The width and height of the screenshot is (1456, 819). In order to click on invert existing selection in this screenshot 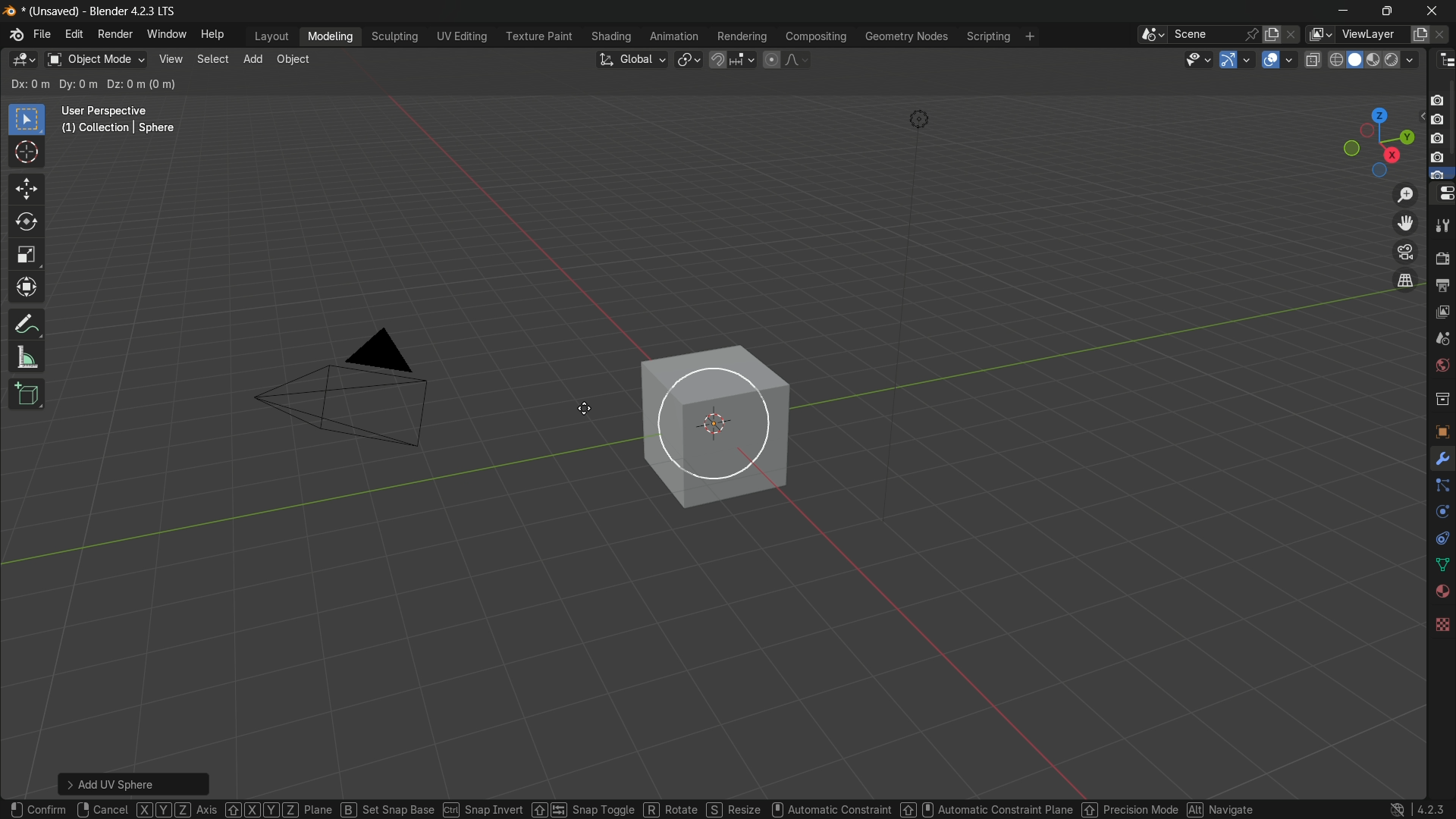, I will do `click(76, 83)`.